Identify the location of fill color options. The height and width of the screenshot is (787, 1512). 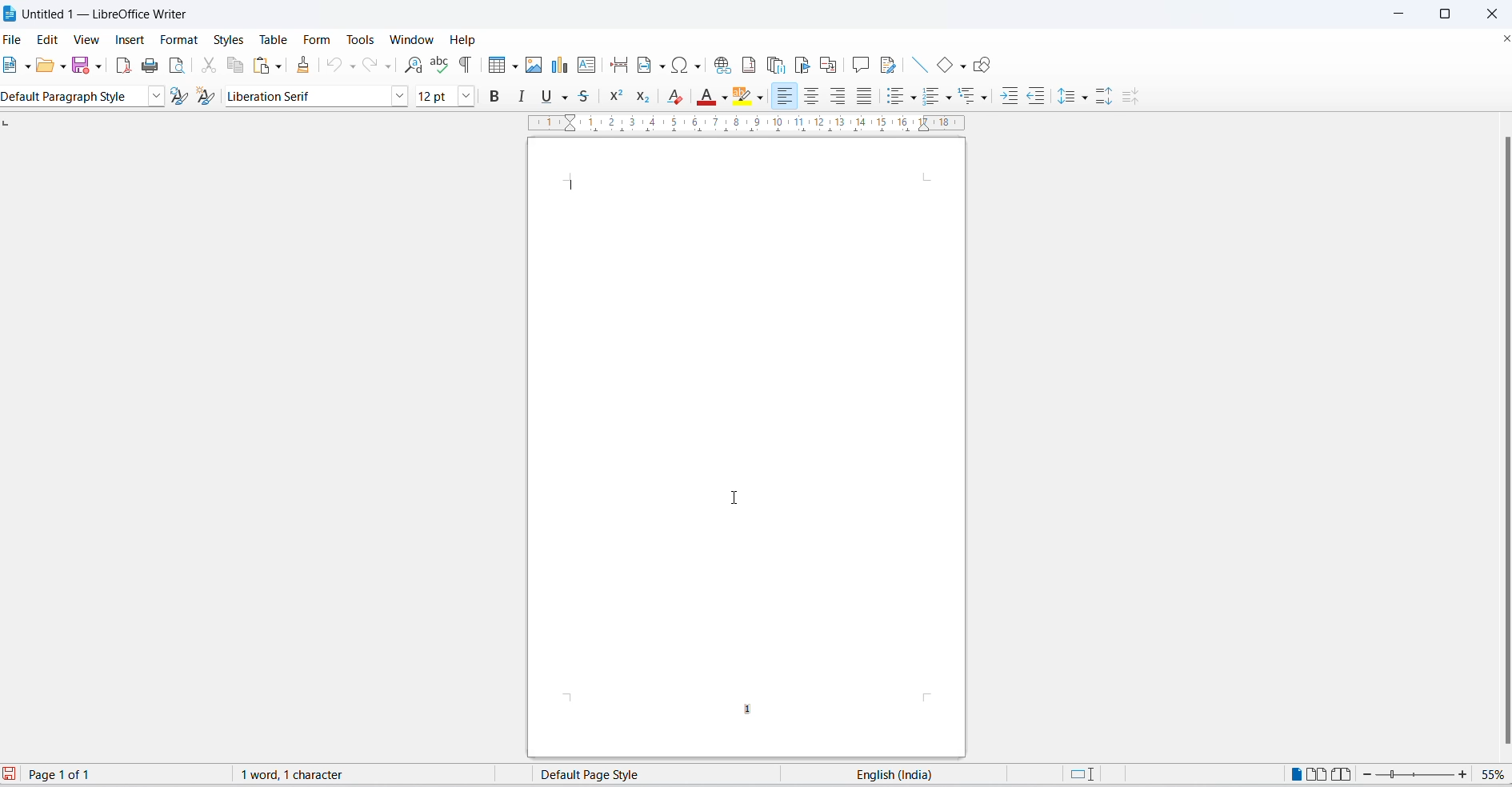
(726, 98).